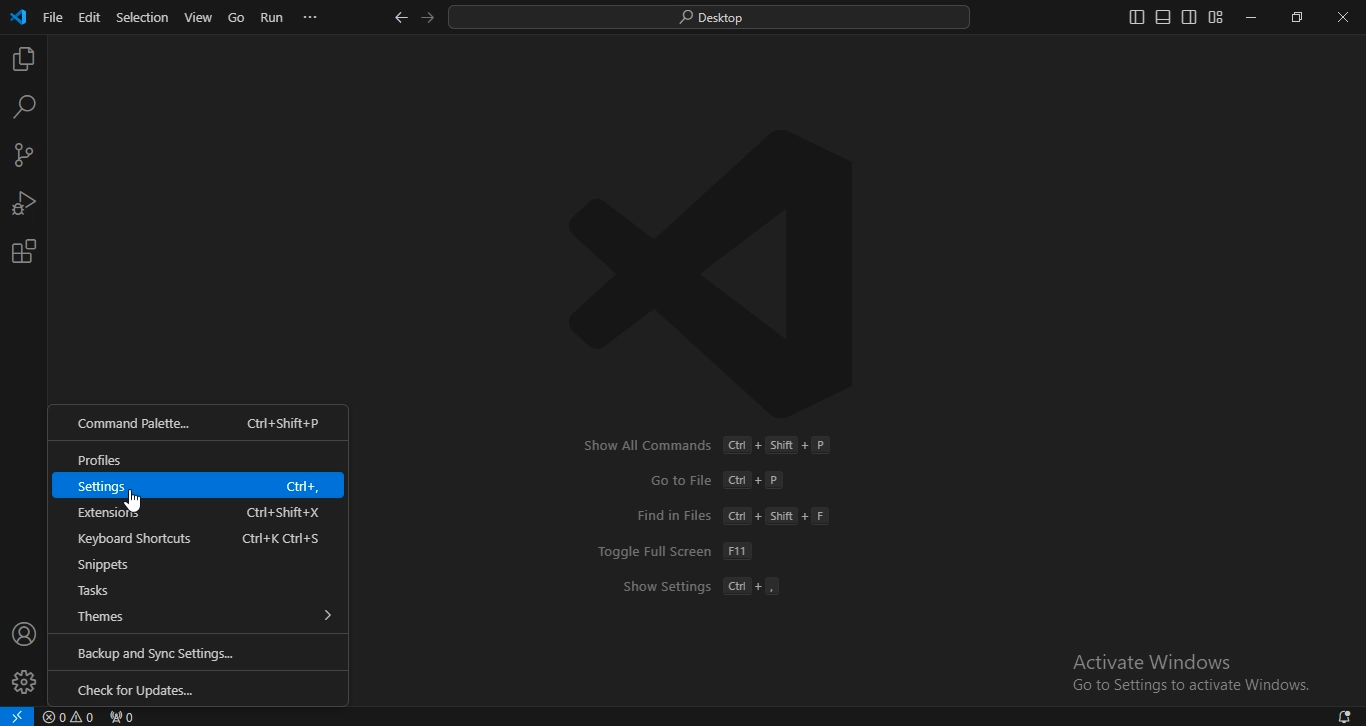 The image size is (1366, 726). Describe the element at coordinates (708, 445) in the screenshot. I see `text` at that location.